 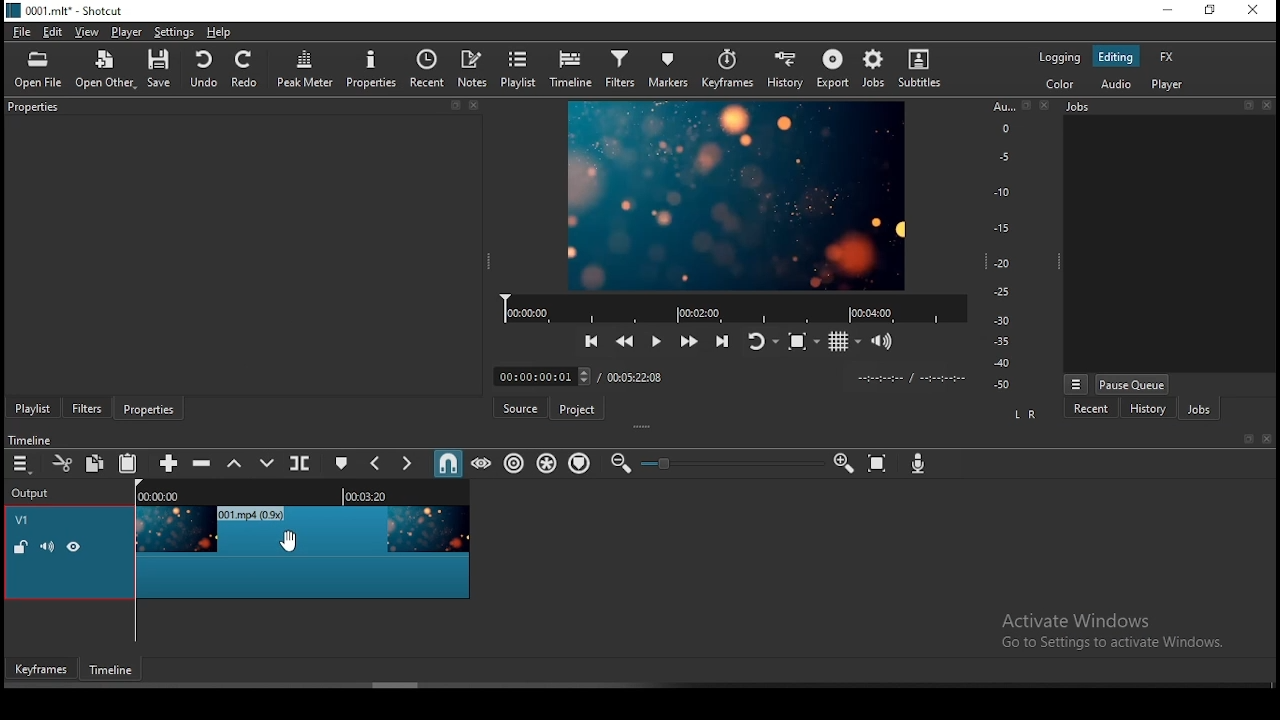 I want to click on redo, so click(x=248, y=69).